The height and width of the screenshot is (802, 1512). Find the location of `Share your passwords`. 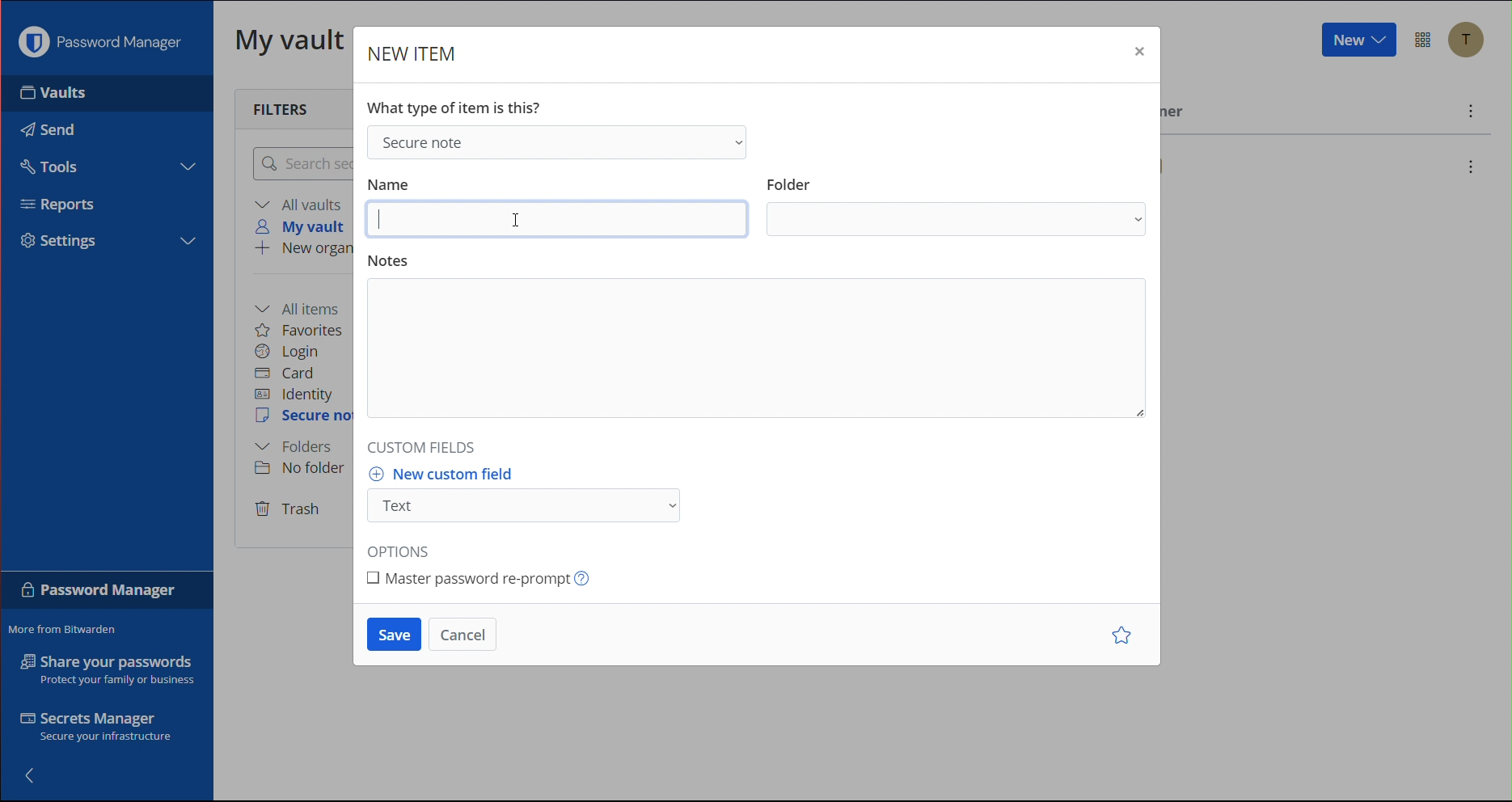

Share your passwords is located at coordinates (108, 669).